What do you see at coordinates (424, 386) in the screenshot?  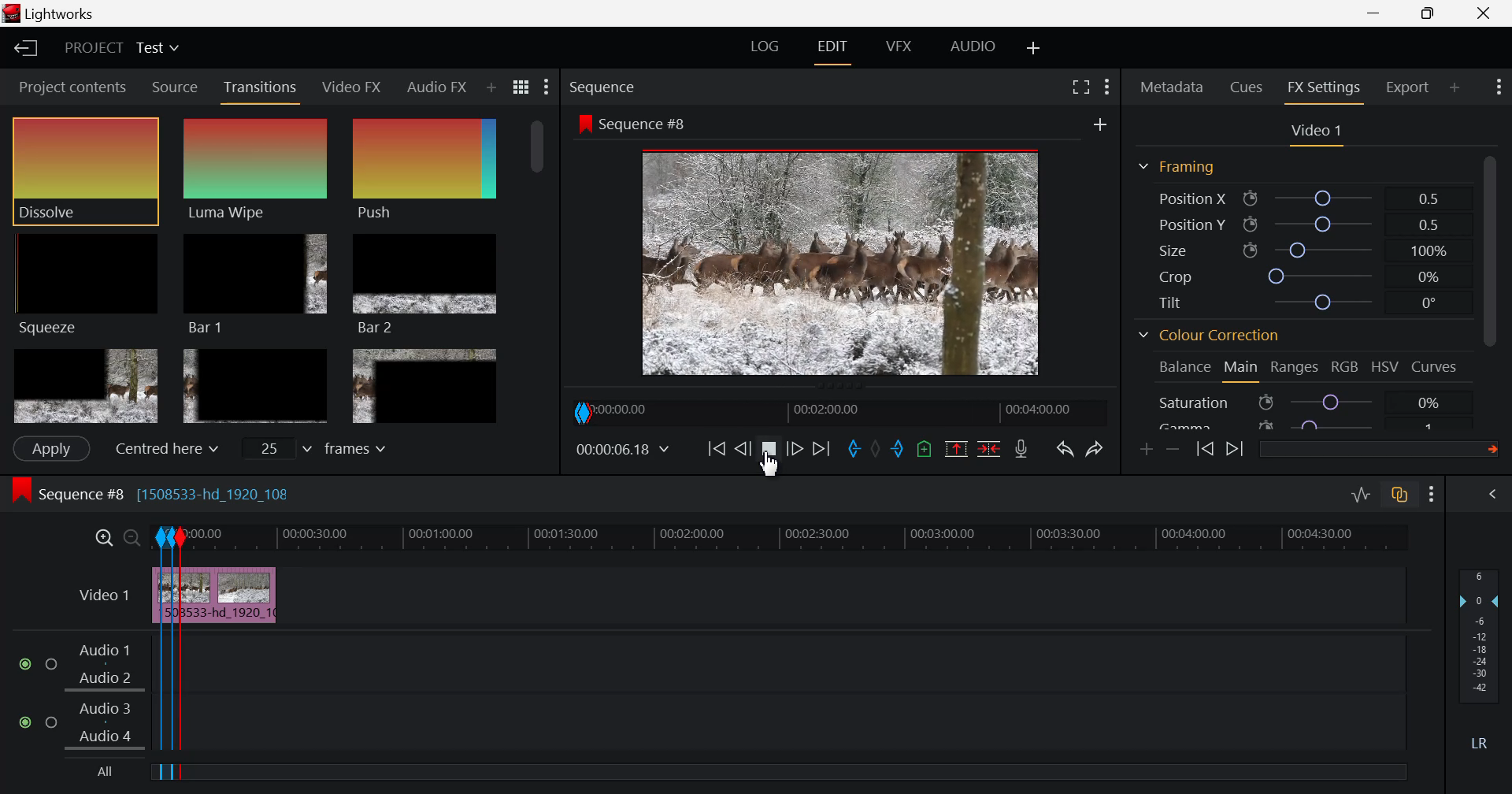 I see `Box 6` at bounding box center [424, 386].